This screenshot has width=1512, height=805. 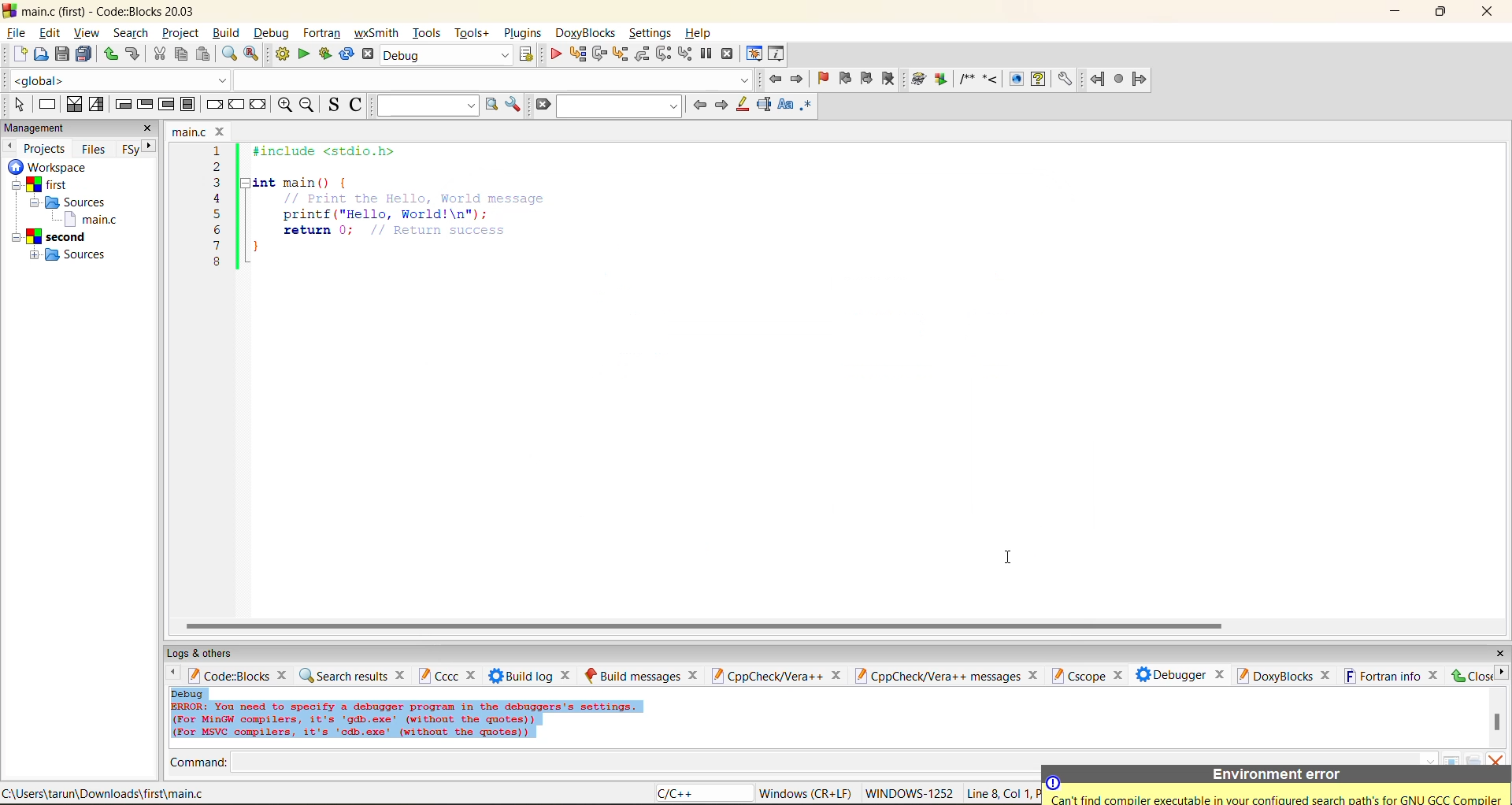 I want to click on files, so click(x=94, y=148).